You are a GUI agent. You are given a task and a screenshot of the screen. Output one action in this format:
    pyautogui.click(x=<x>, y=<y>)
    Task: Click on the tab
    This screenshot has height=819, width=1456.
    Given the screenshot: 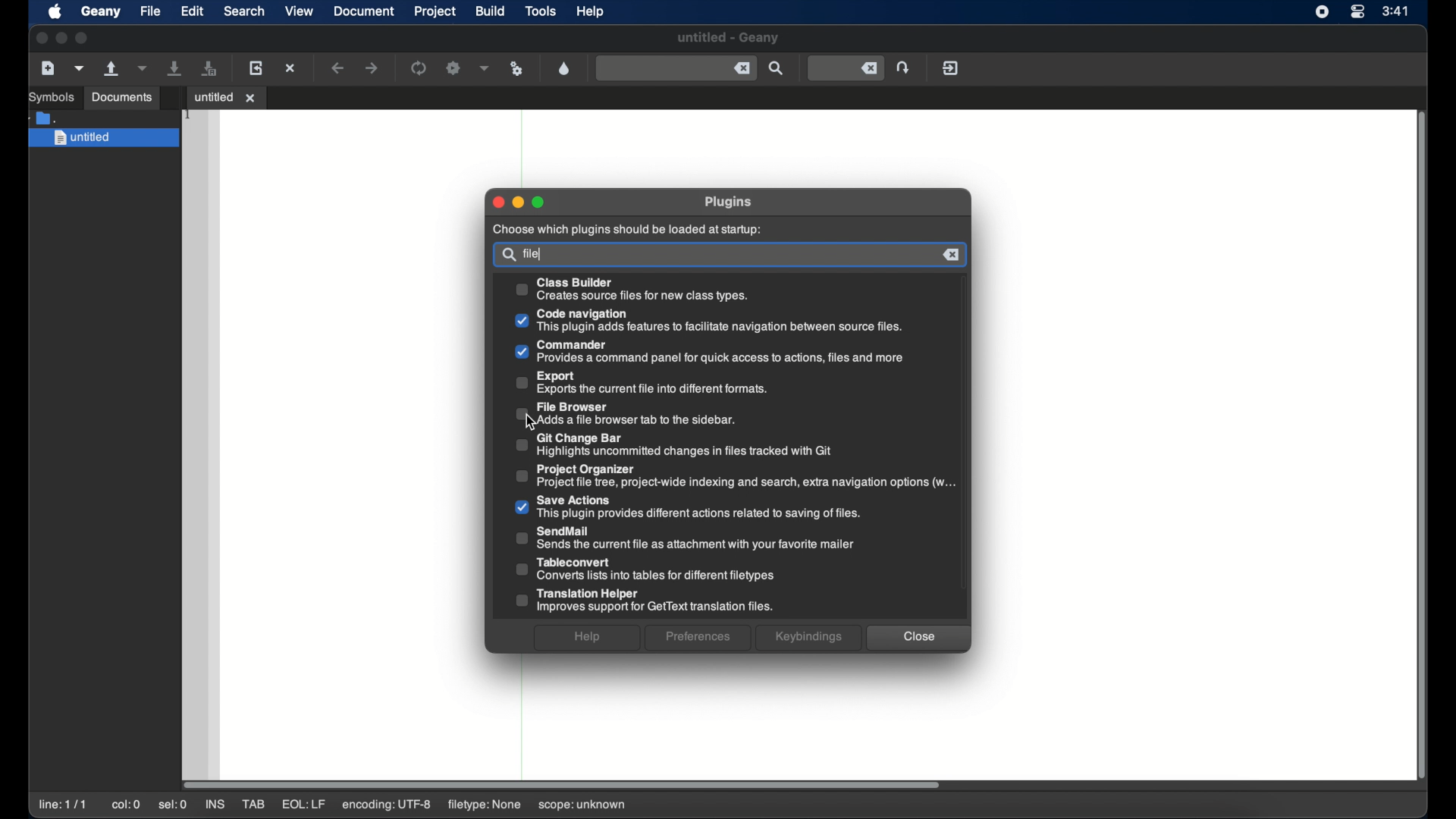 What is the action you would take?
    pyautogui.click(x=255, y=805)
    